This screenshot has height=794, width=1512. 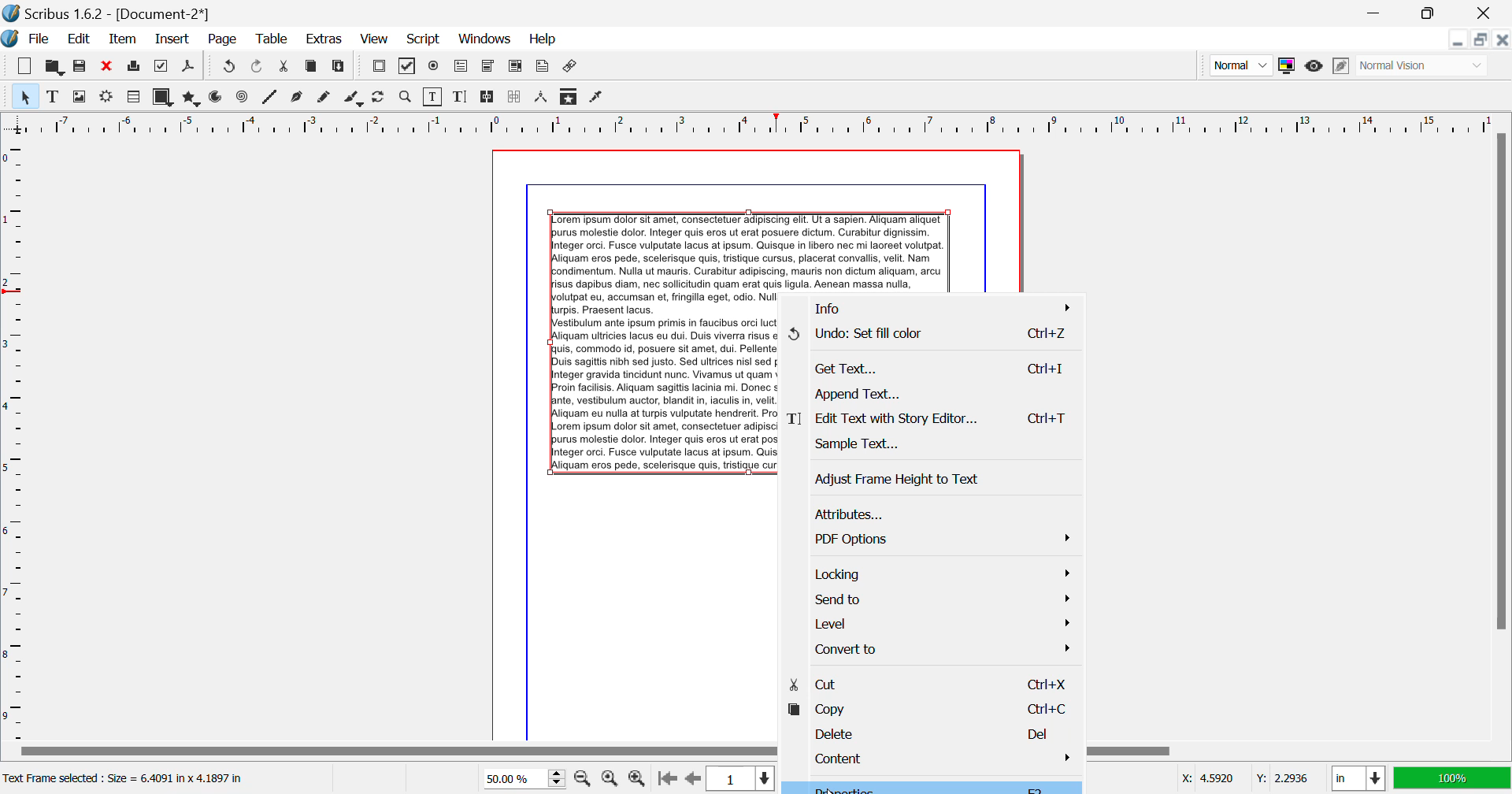 What do you see at coordinates (929, 514) in the screenshot?
I see `Attributes` at bounding box center [929, 514].